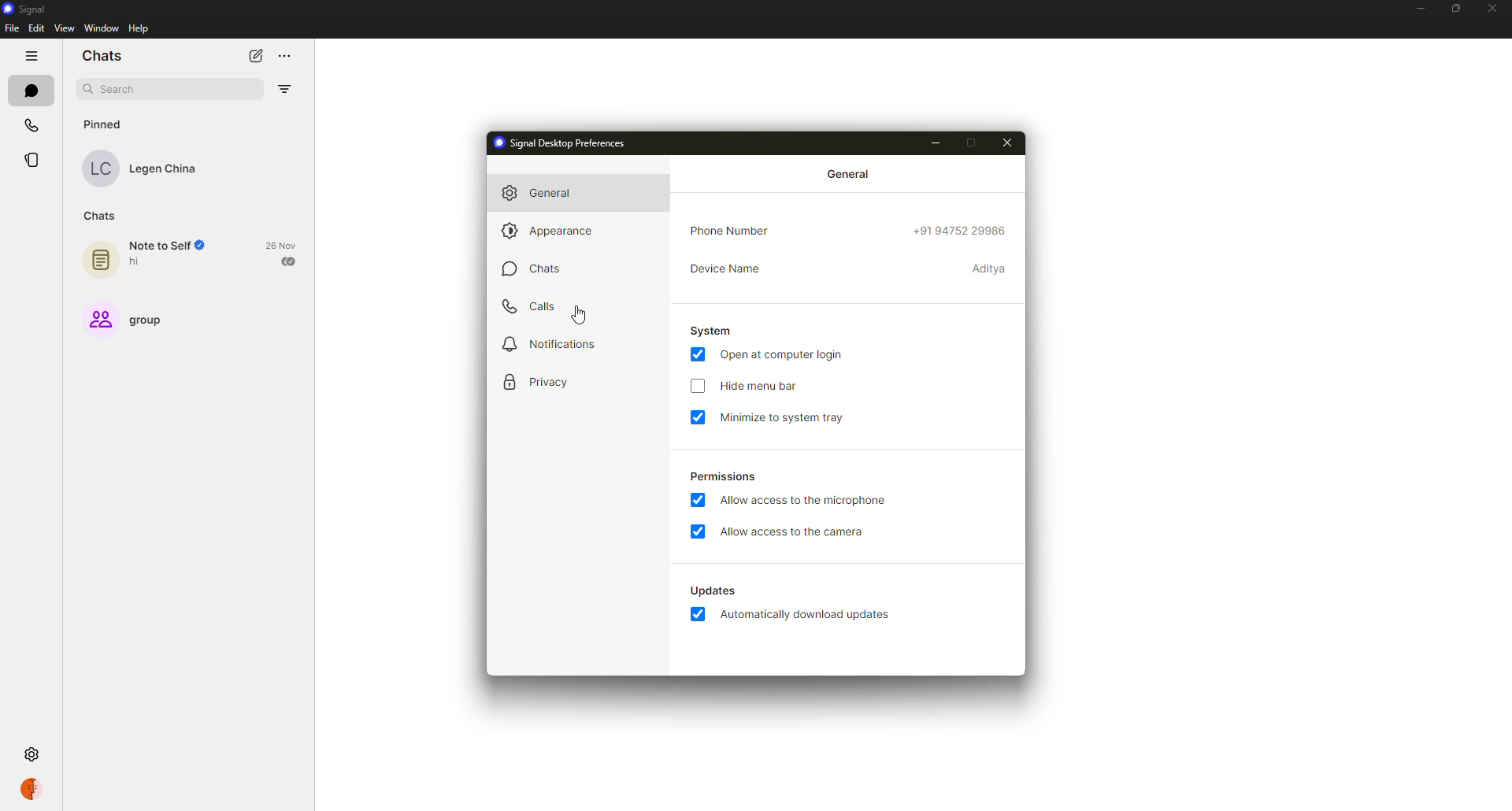 This screenshot has height=811, width=1512. What do you see at coordinates (24, 8) in the screenshot?
I see `signal` at bounding box center [24, 8].